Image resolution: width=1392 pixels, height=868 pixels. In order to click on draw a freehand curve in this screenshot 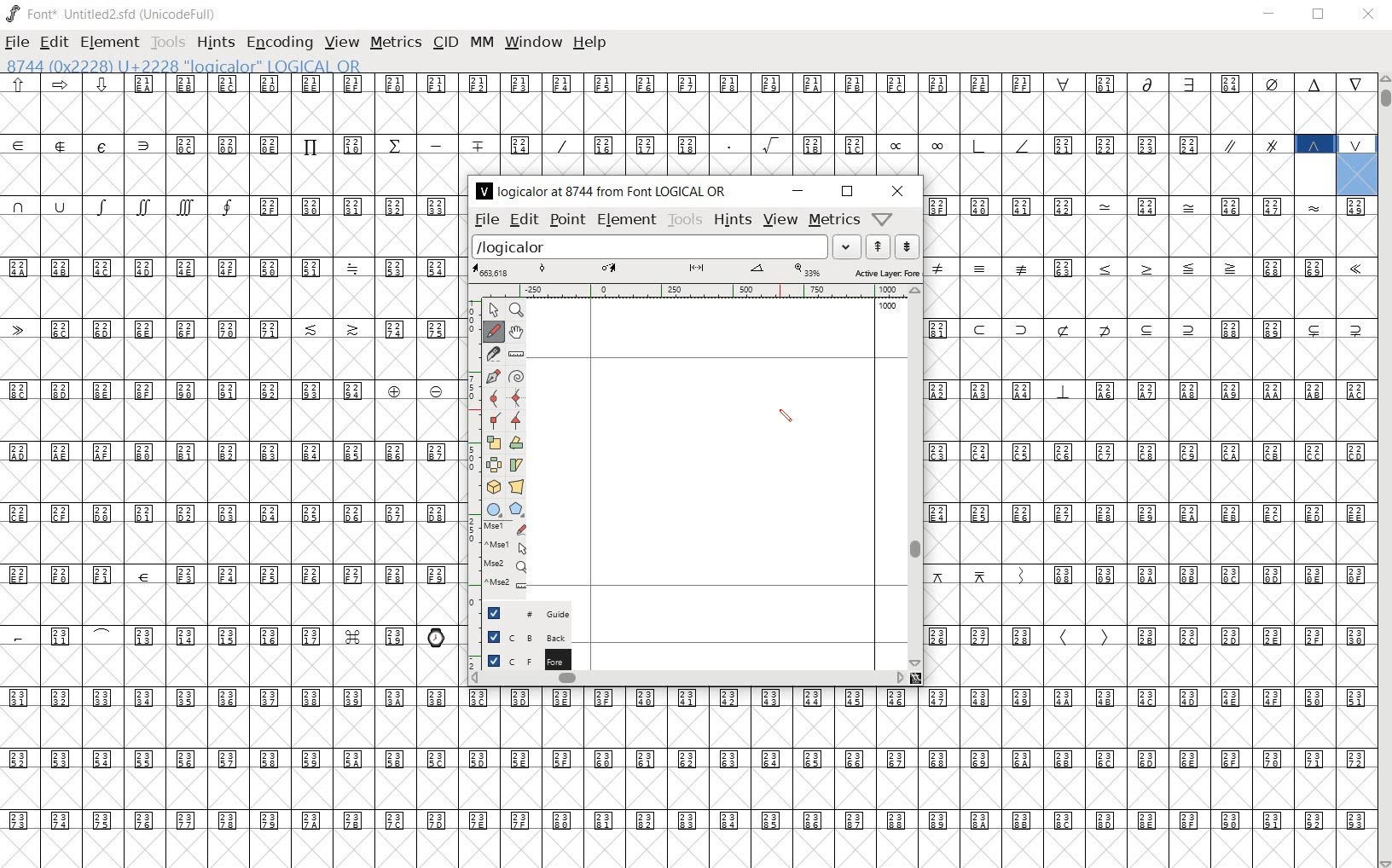, I will do `click(494, 332)`.